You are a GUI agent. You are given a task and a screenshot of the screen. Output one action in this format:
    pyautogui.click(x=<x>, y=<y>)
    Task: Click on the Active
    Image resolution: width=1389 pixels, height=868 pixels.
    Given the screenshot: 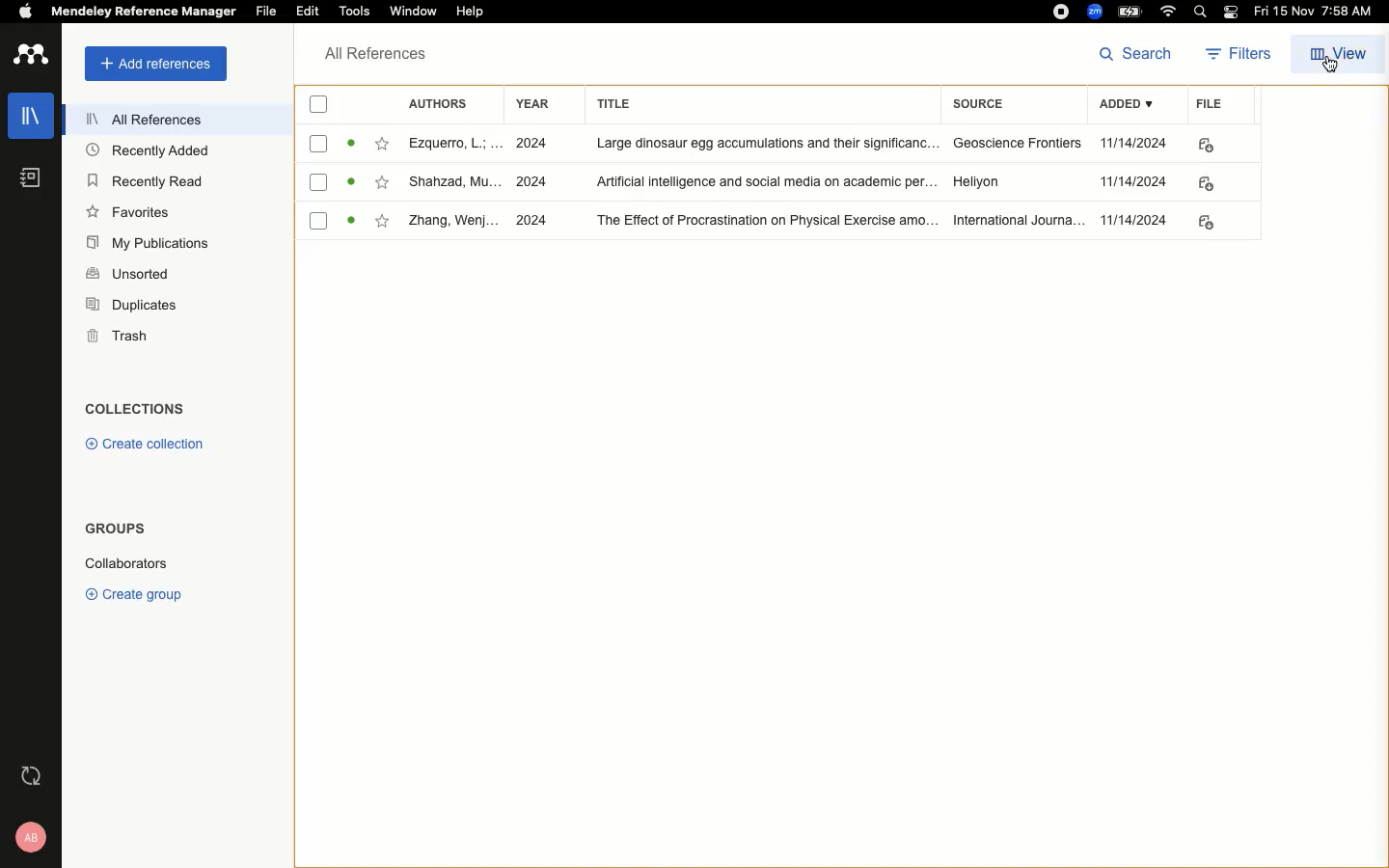 What is the action you would take?
    pyautogui.click(x=351, y=144)
    